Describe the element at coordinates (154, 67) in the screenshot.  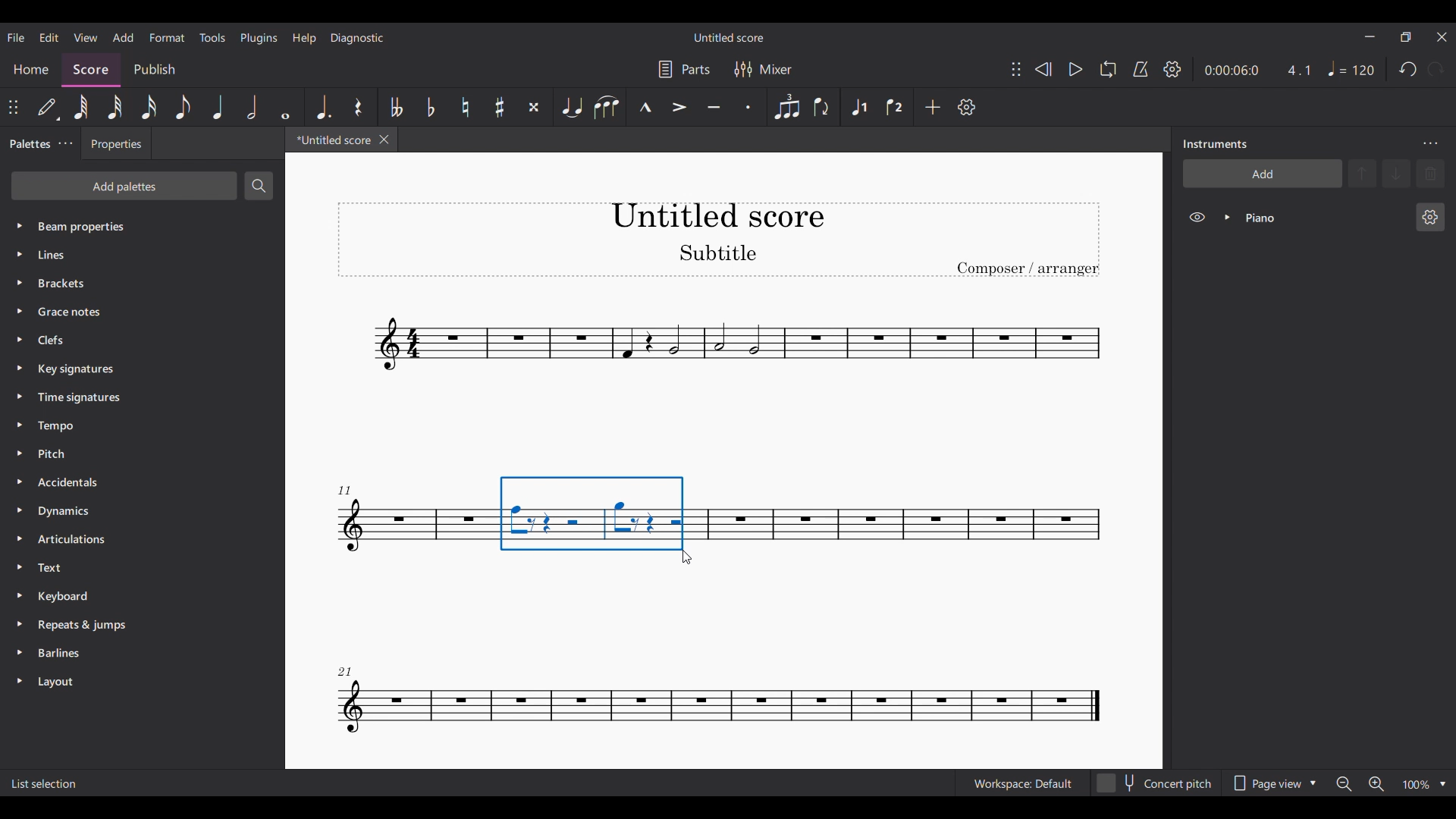
I see `Publish section` at that location.